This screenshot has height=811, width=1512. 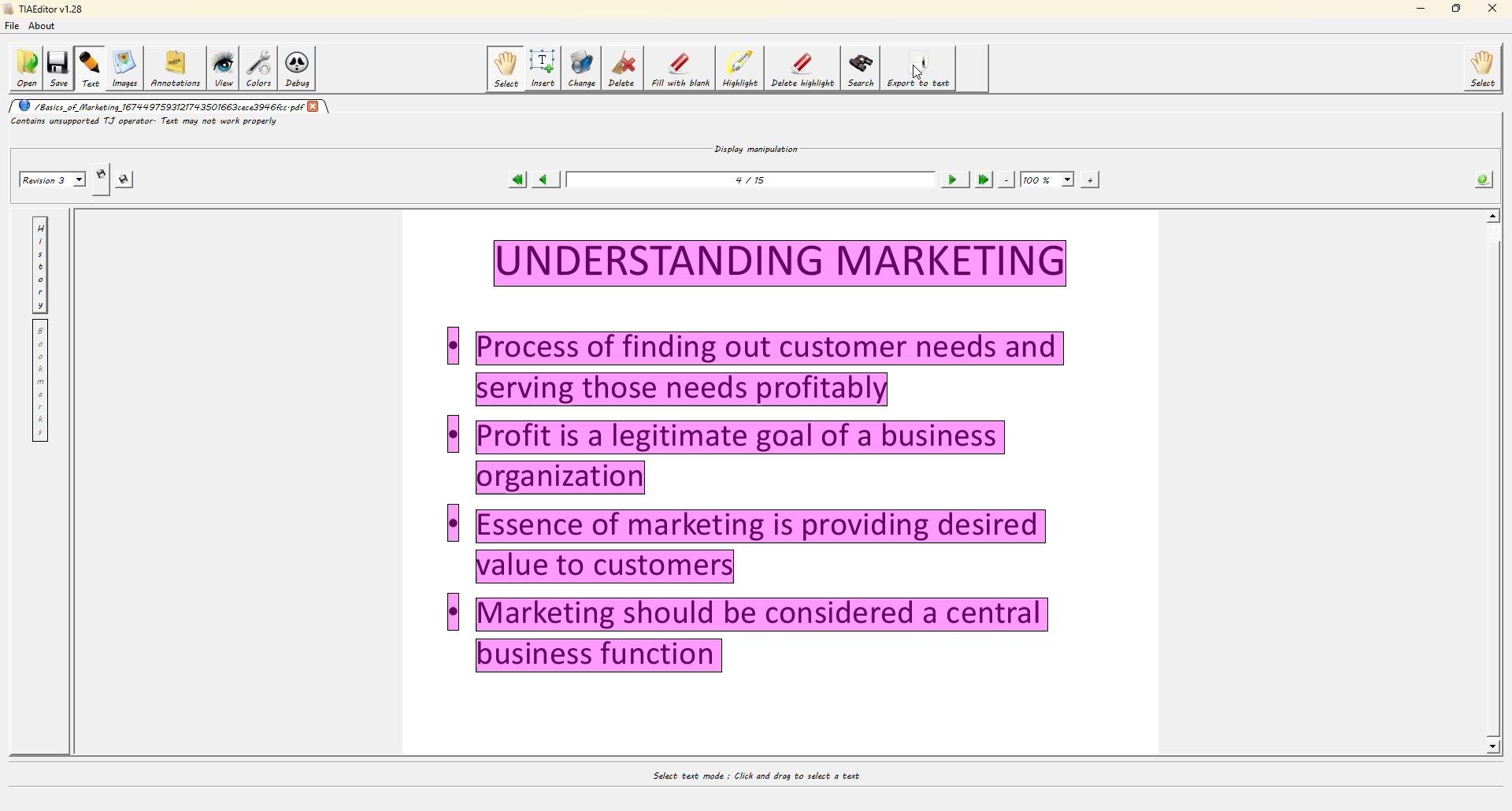 I want to click on cursor, so click(x=924, y=72).